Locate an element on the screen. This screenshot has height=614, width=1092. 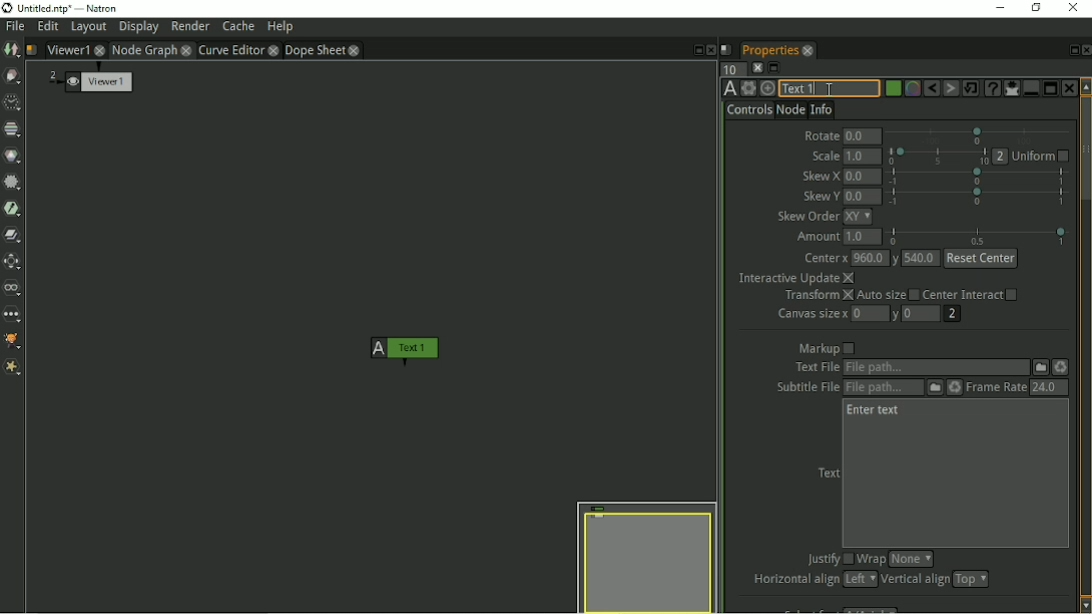
Help is located at coordinates (280, 26).